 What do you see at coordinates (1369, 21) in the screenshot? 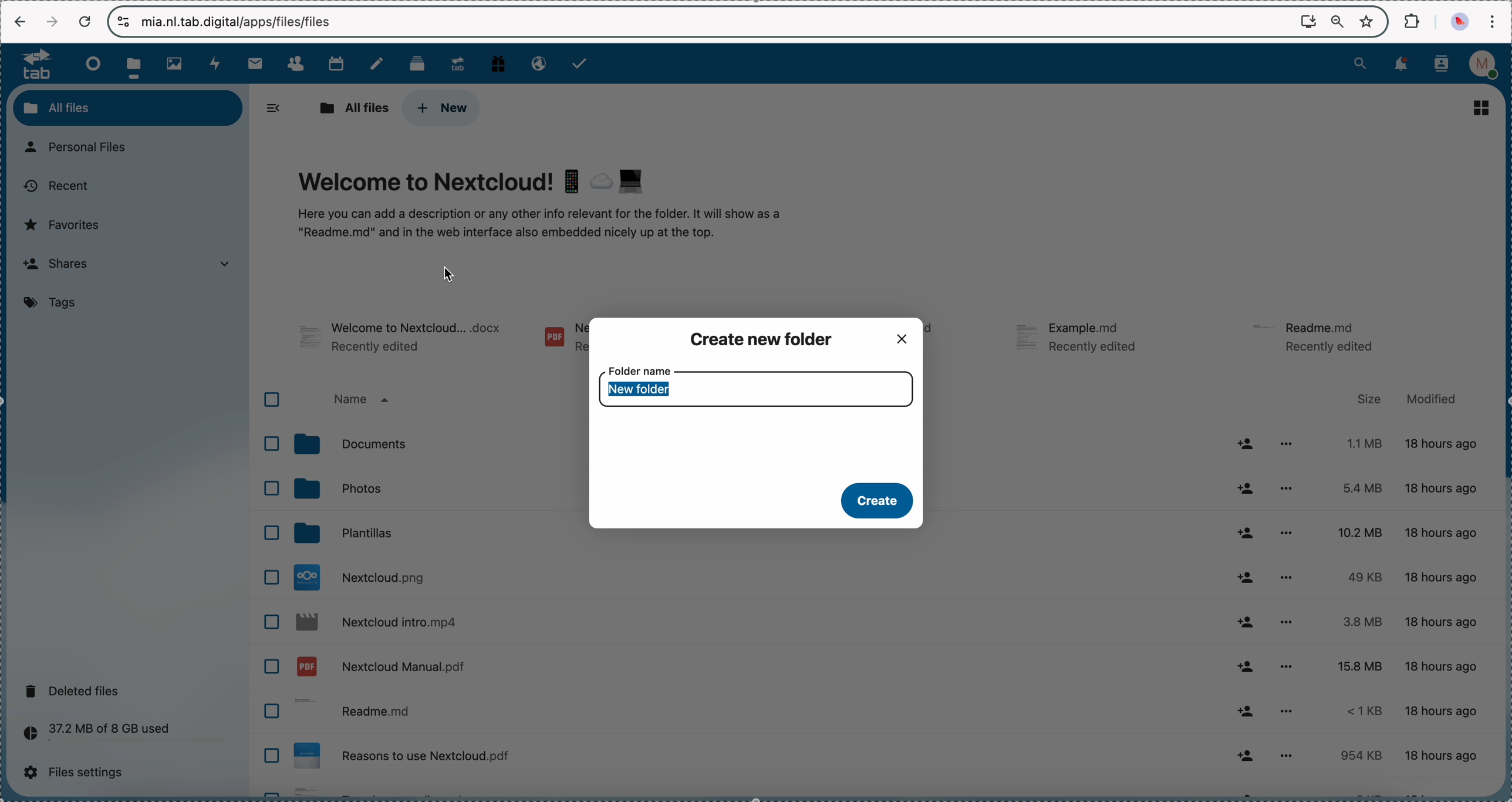
I see `favorites` at bounding box center [1369, 21].